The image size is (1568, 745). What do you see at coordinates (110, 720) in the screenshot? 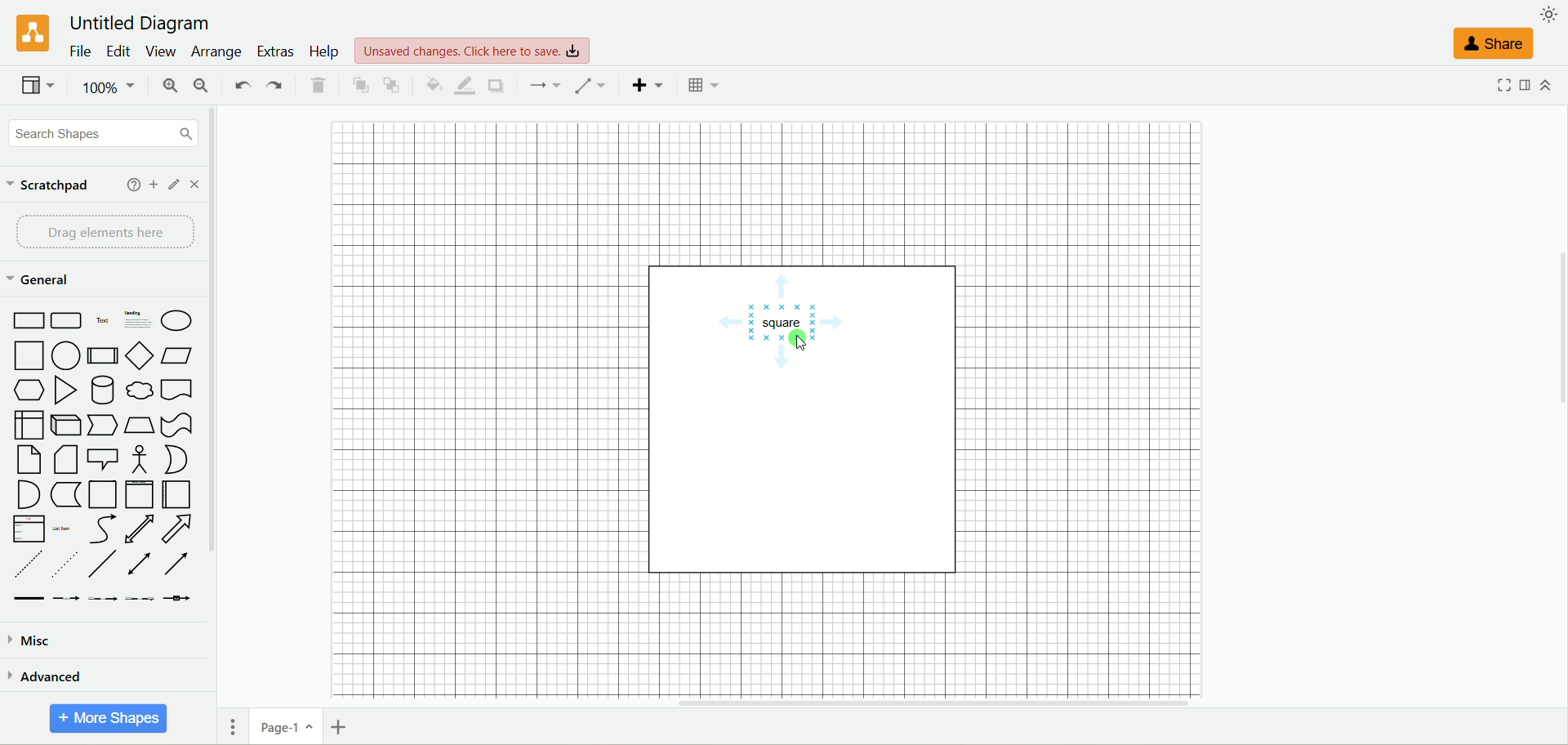
I see `more shapes` at bounding box center [110, 720].